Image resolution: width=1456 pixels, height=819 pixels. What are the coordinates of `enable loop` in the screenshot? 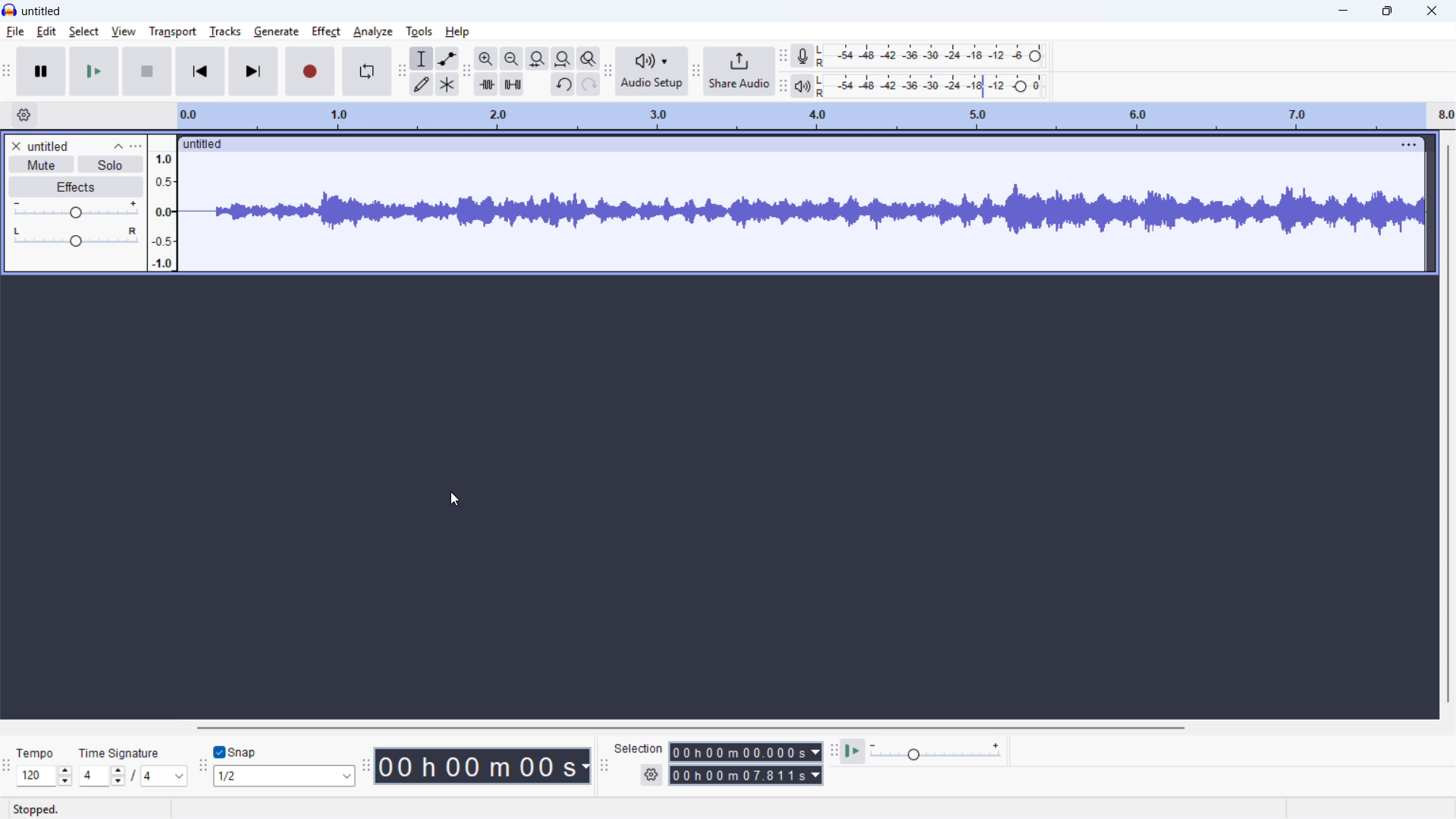 It's located at (366, 73).